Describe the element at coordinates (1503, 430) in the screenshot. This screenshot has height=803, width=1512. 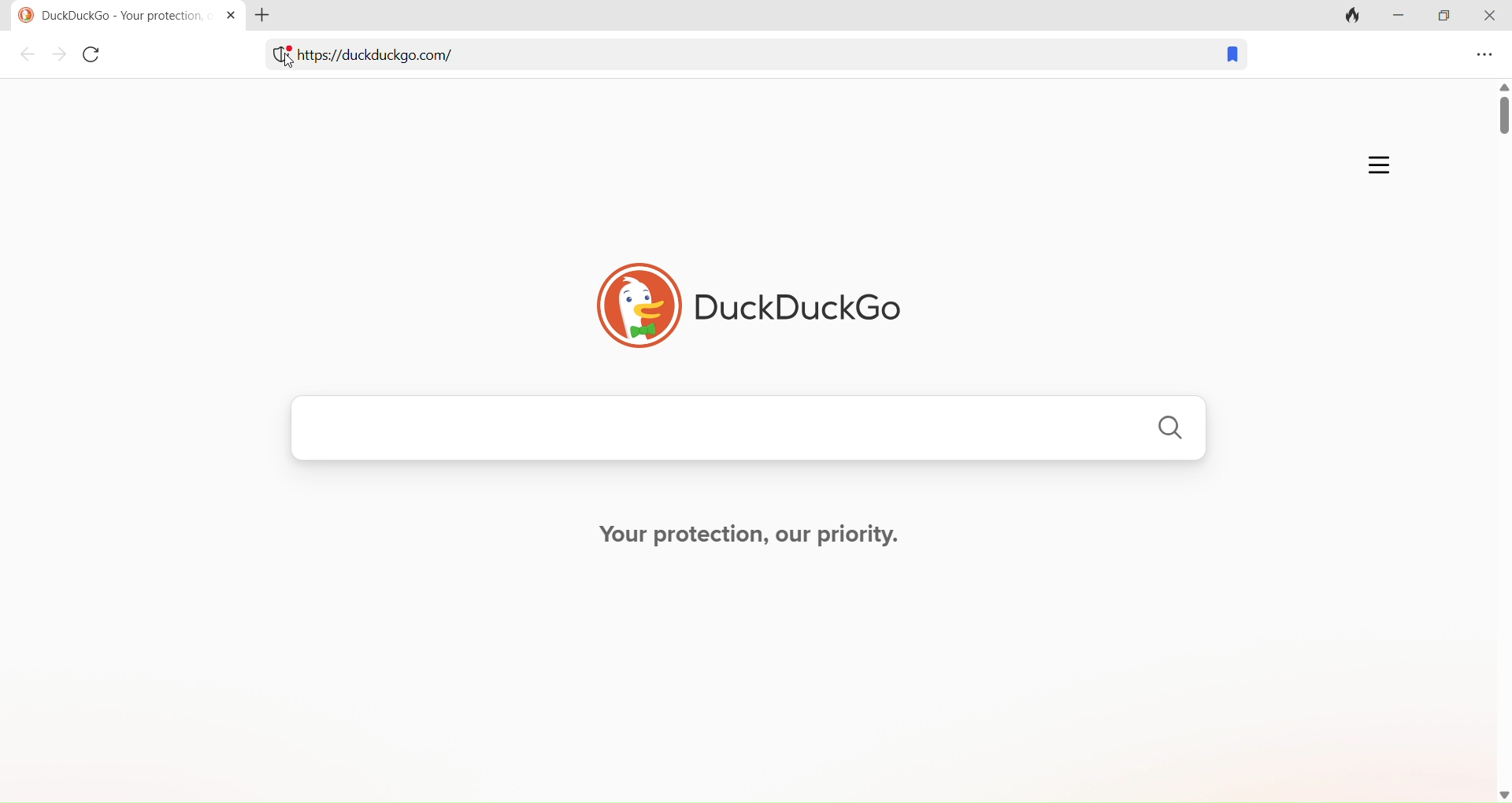
I see `scroll bar` at that location.